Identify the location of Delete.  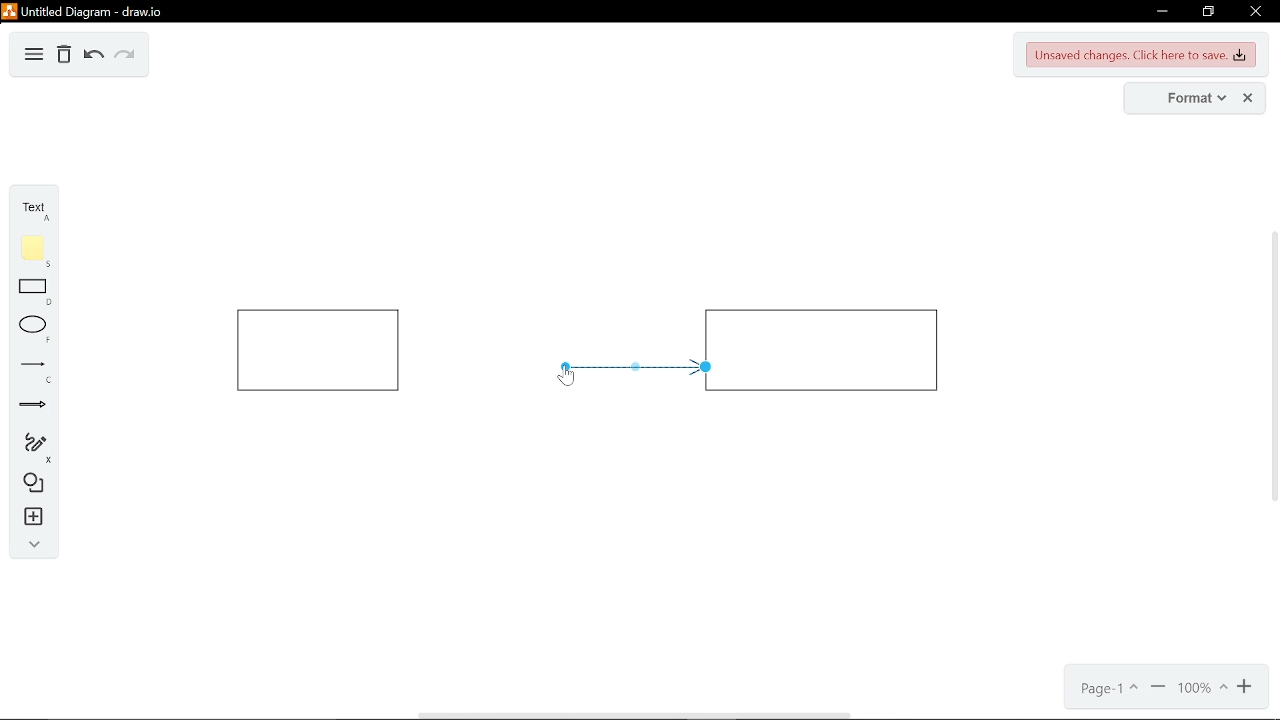
(65, 55).